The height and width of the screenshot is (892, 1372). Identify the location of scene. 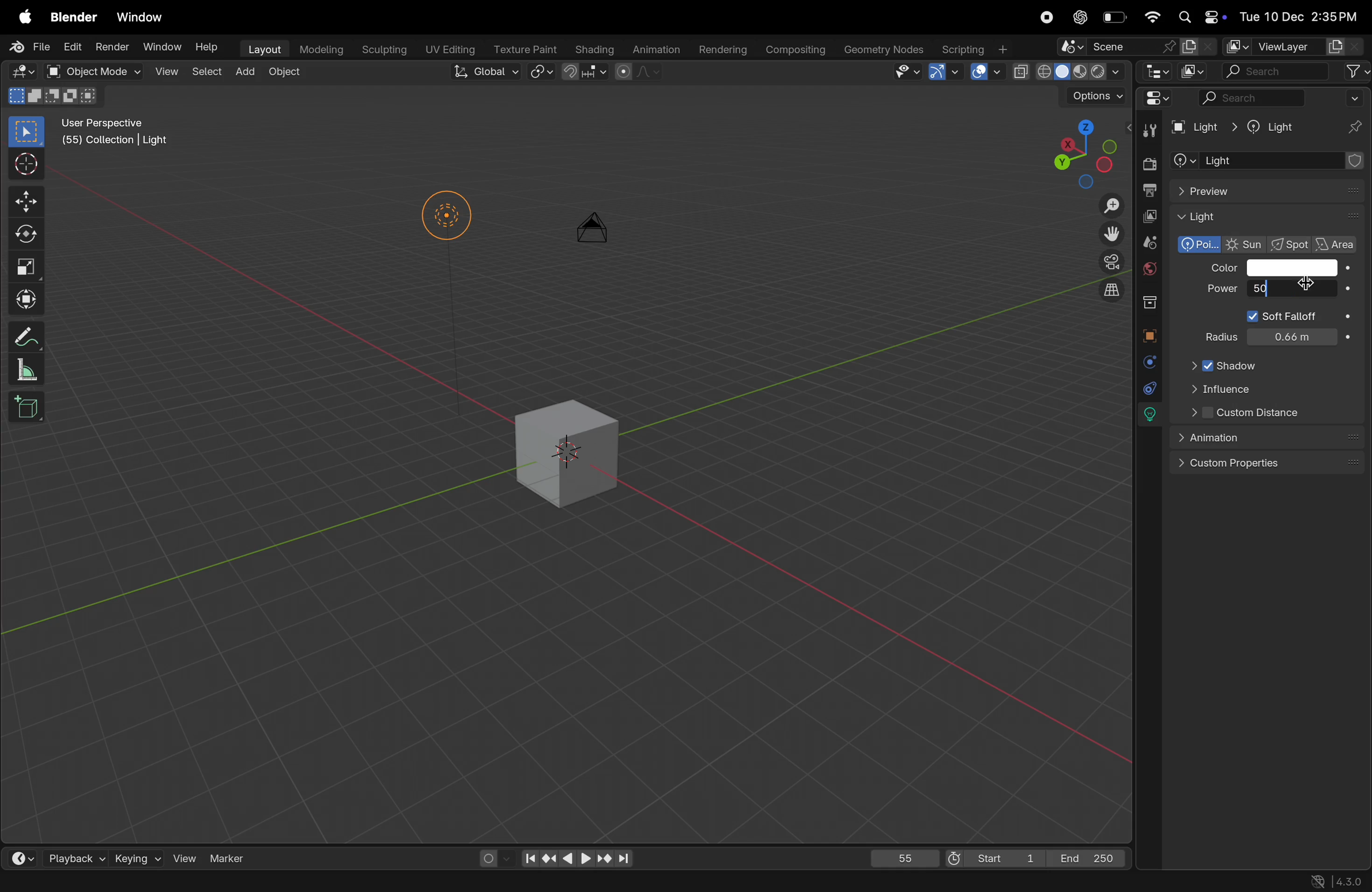
(1151, 244).